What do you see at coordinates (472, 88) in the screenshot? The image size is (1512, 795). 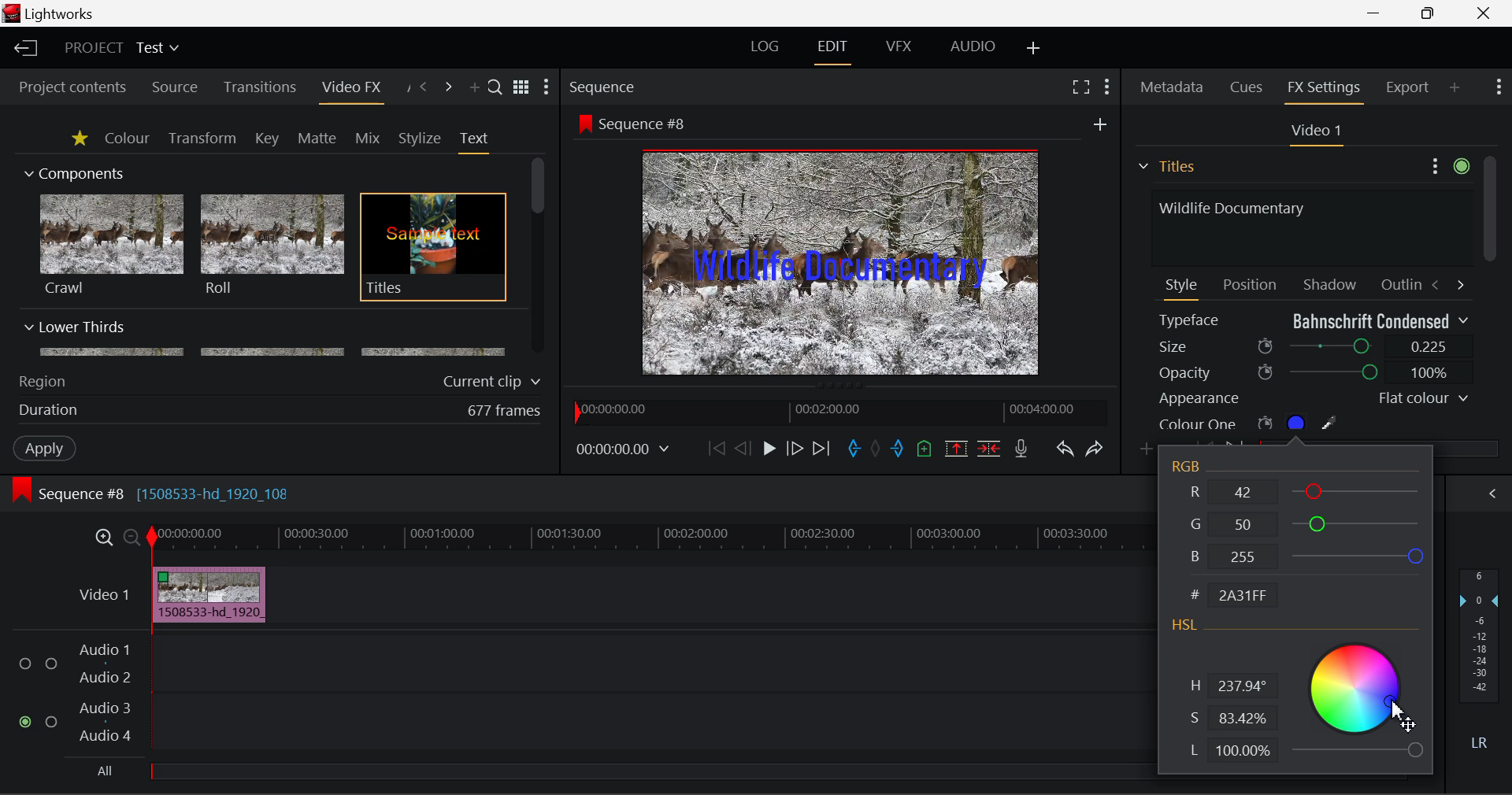 I see `Add Panel` at bounding box center [472, 88].